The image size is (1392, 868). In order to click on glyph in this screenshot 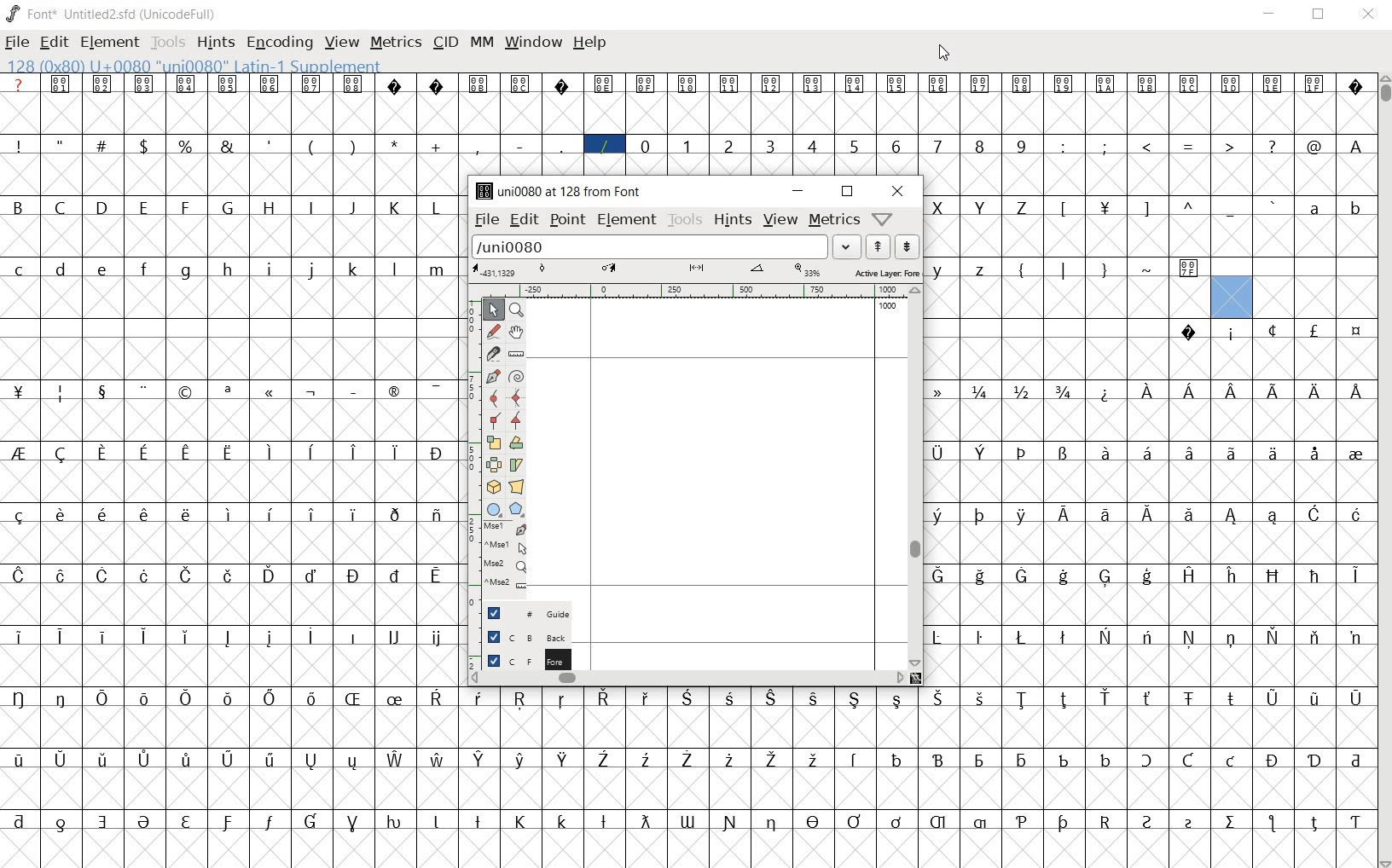, I will do `click(1064, 513)`.